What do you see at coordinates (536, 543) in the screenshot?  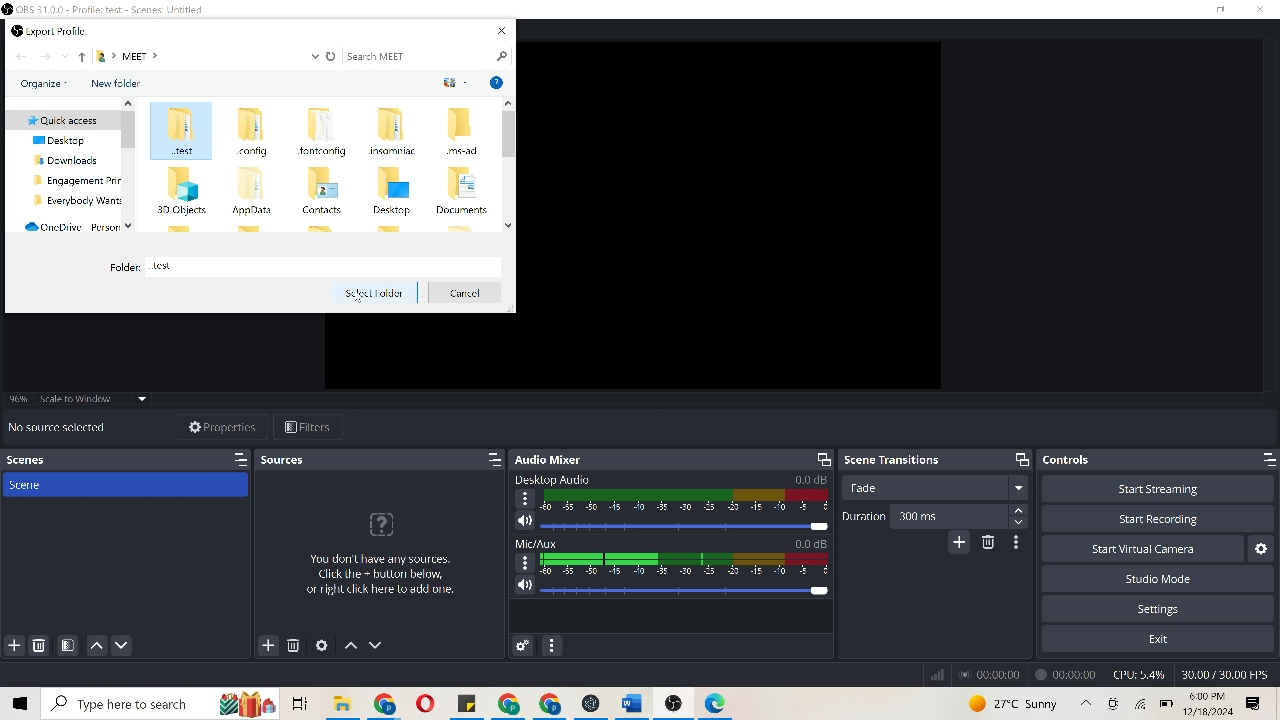 I see `Mic/Aux` at bounding box center [536, 543].